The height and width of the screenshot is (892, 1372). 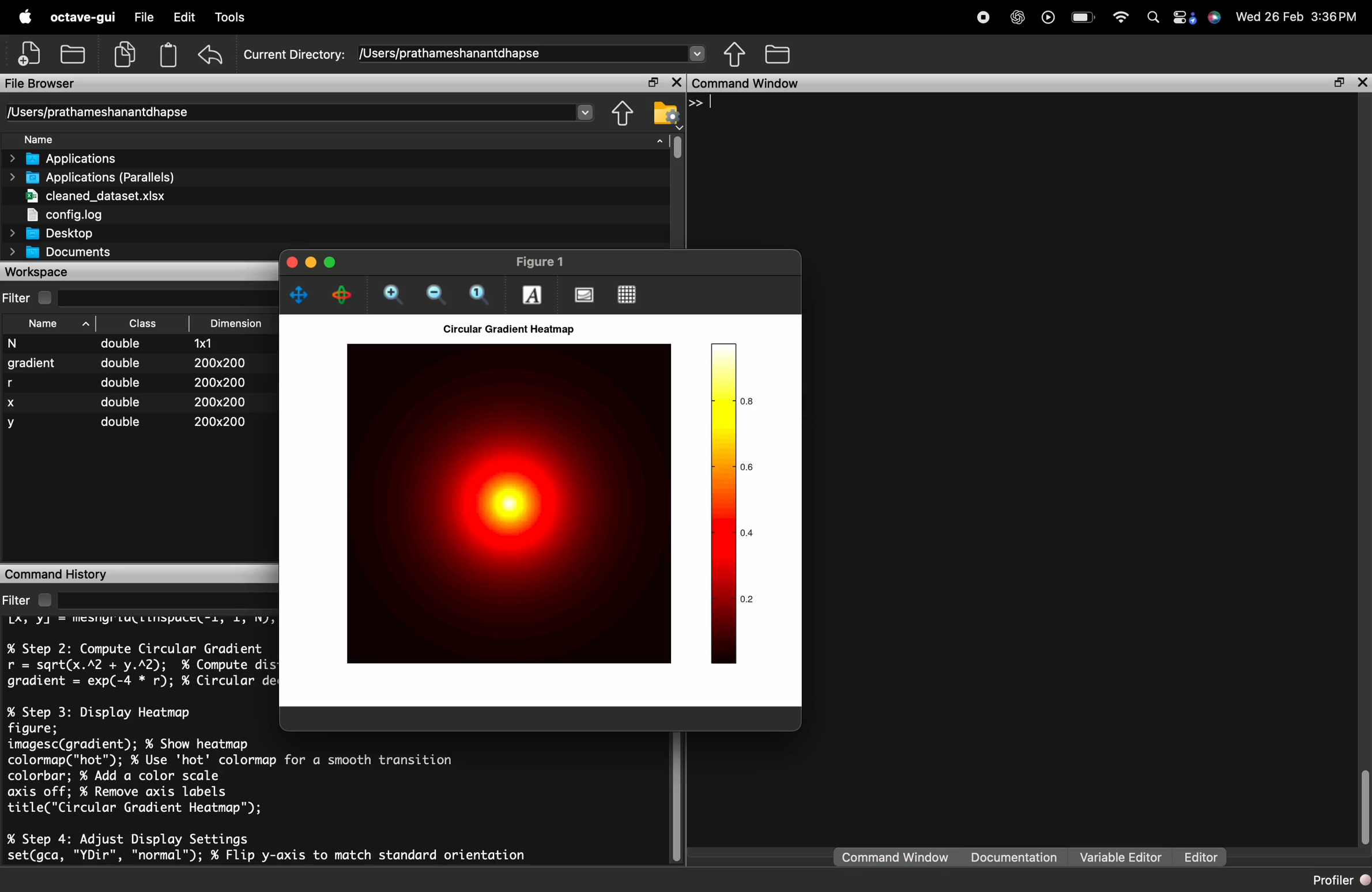 I want to click on Debug, so click(x=232, y=17).